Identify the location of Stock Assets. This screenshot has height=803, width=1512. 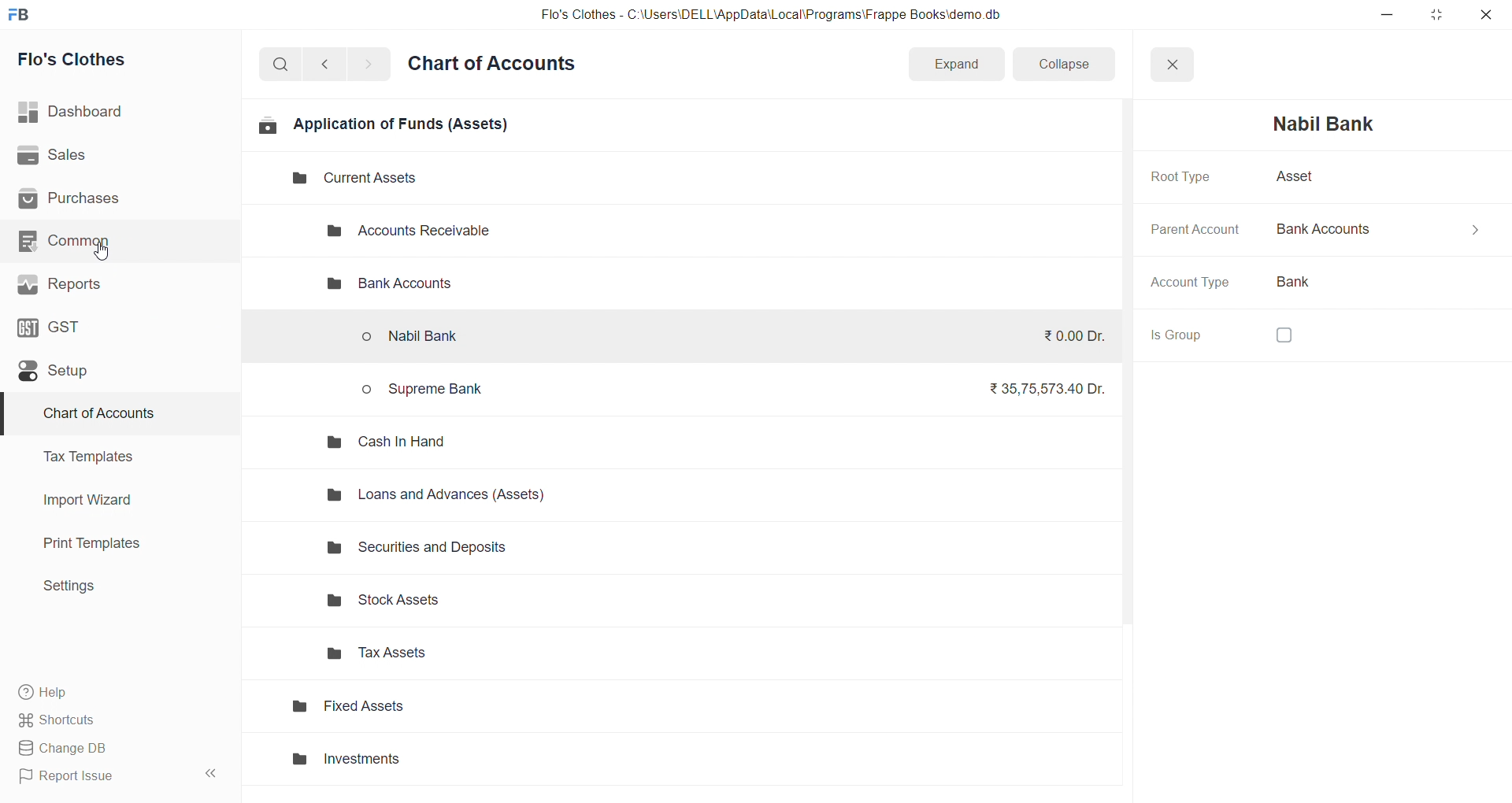
(450, 601).